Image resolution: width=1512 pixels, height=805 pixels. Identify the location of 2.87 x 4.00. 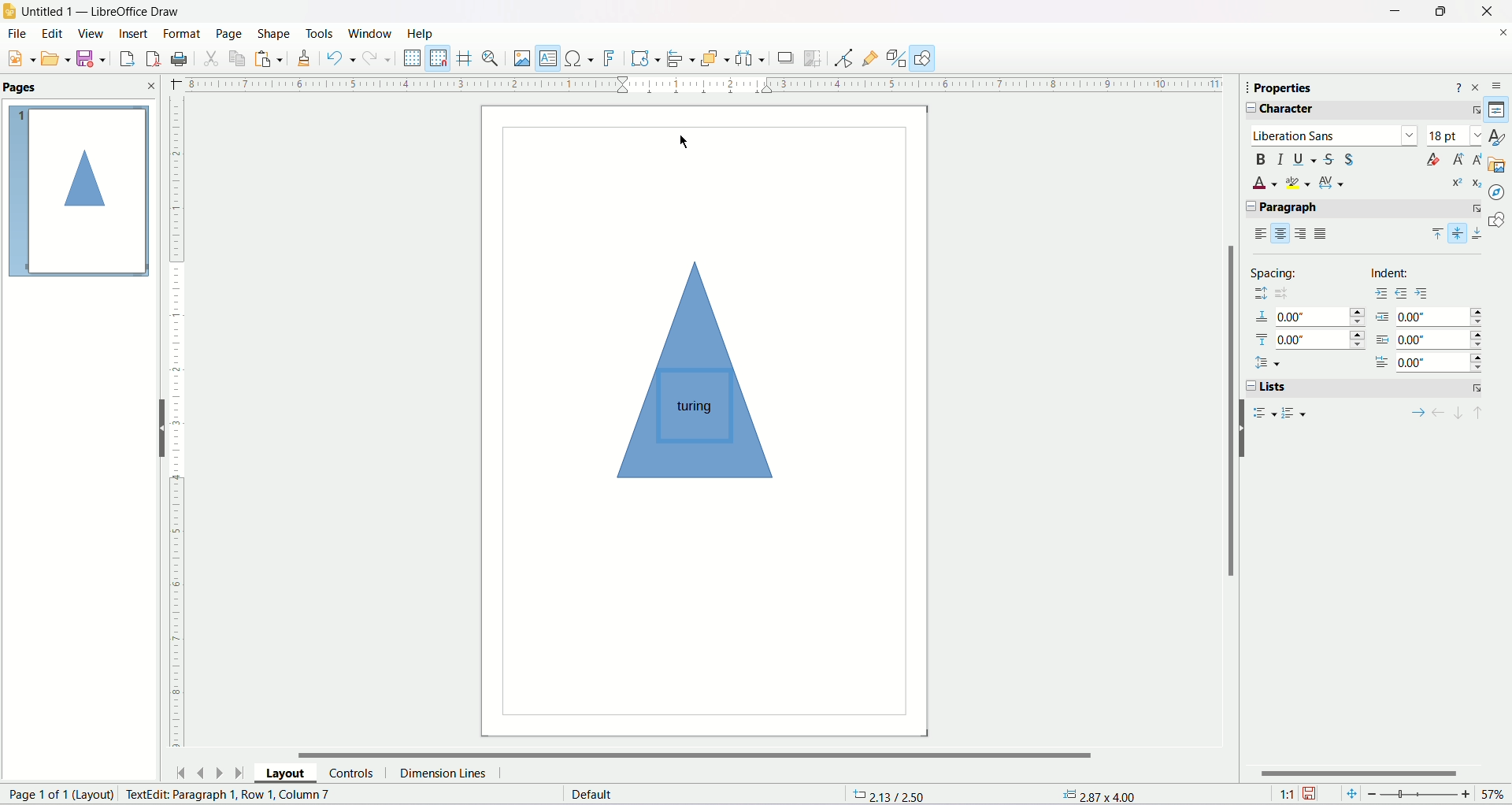
(1099, 796).